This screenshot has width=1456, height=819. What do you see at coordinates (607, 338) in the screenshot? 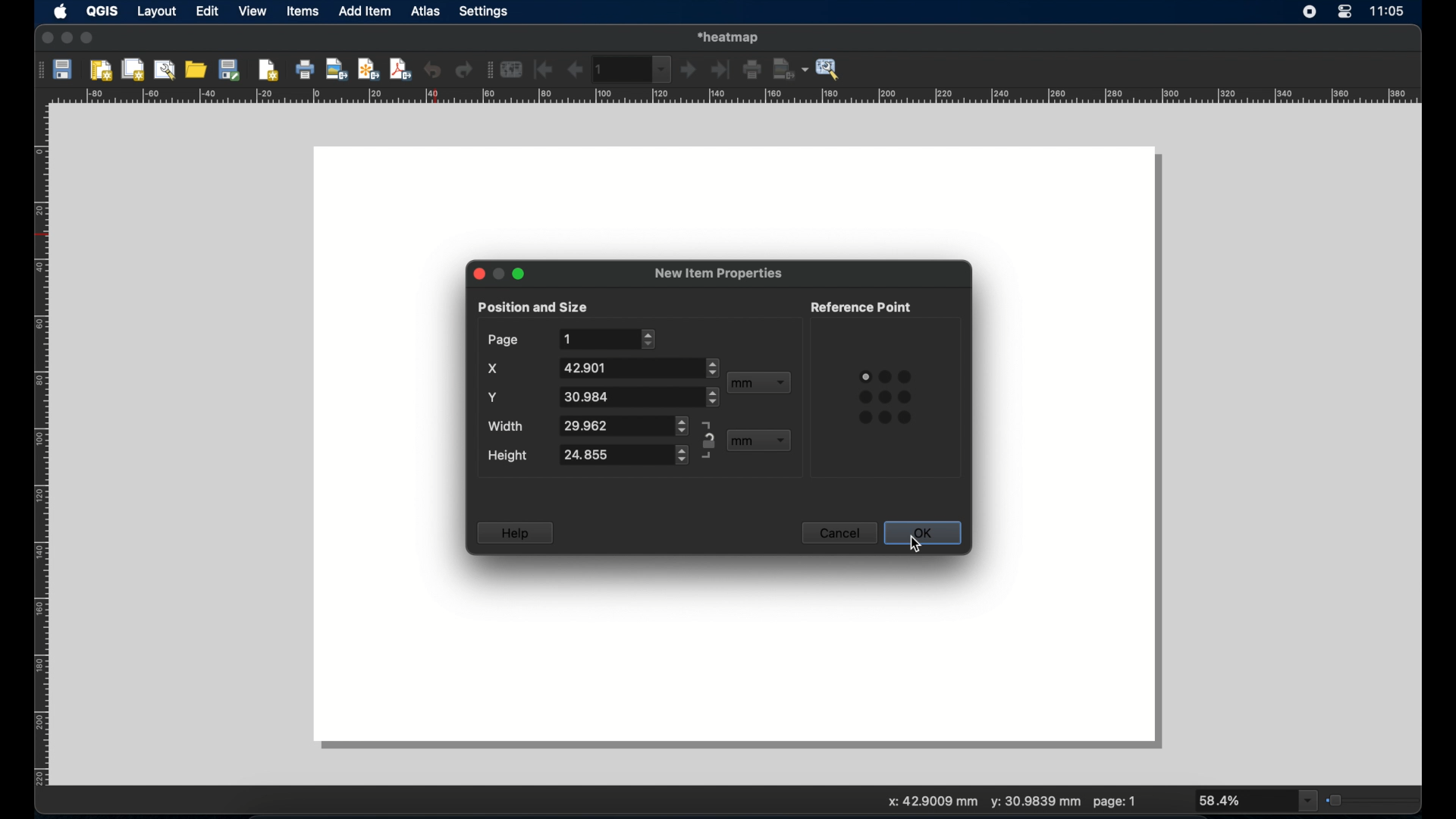
I see `page stepper buttons` at bounding box center [607, 338].